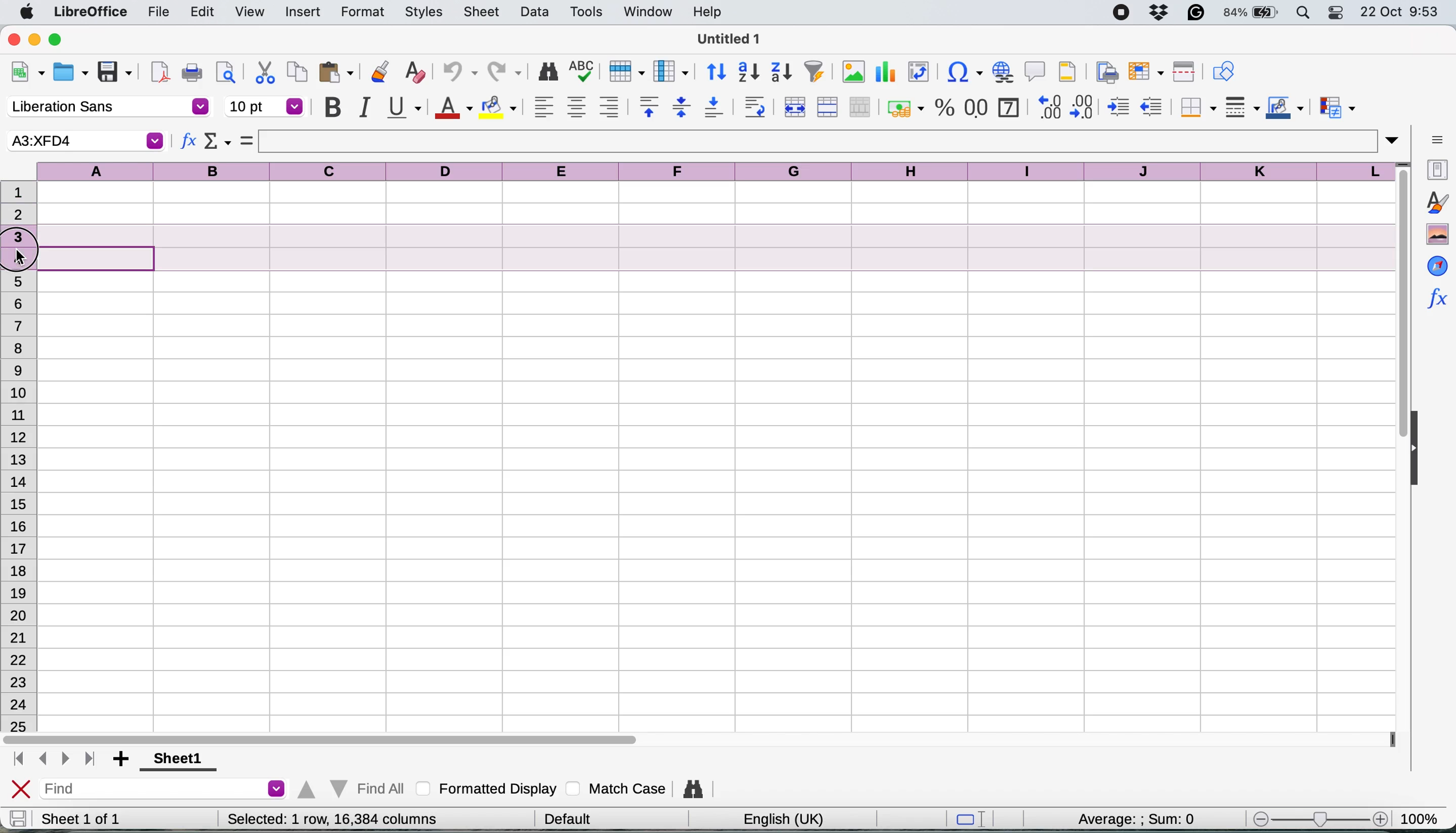 Image resolution: width=1456 pixels, height=833 pixels. What do you see at coordinates (1223, 70) in the screenshot?
I see `show draw functions` at bounding box center [1223, 70].